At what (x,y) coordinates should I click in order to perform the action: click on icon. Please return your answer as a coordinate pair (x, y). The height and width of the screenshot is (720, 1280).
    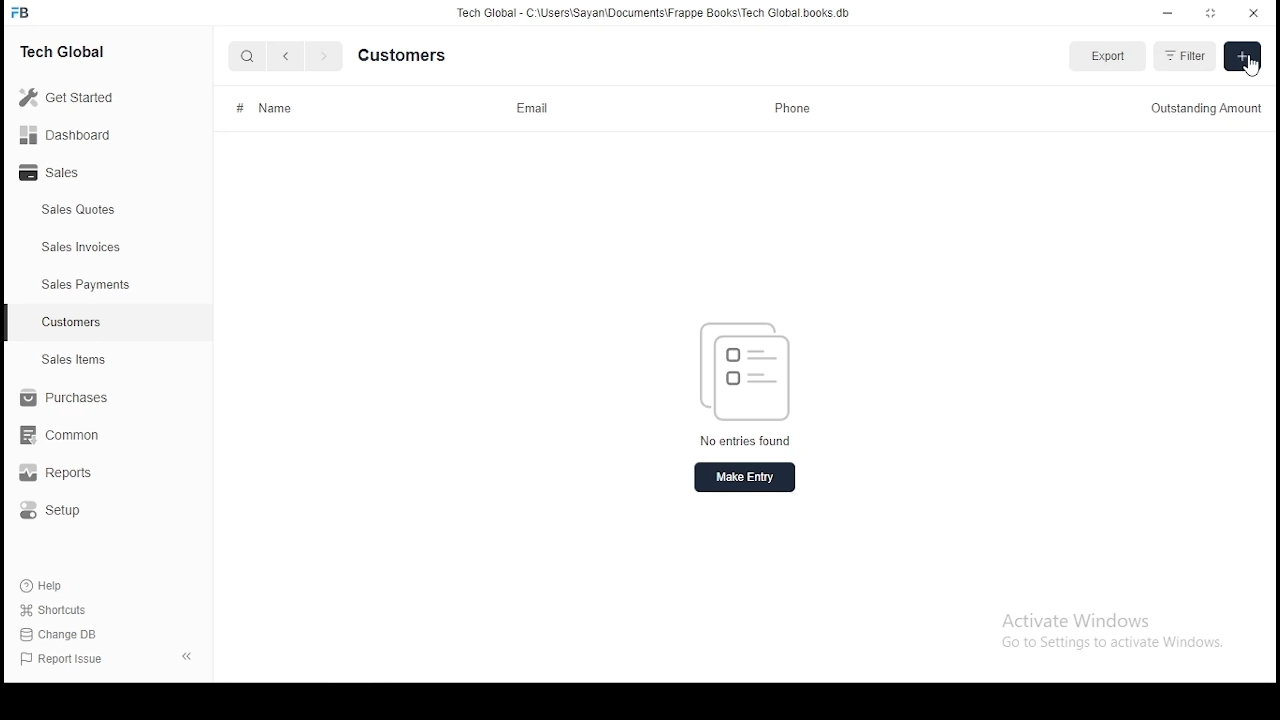
    Looking at the image, I should click on (23, 12).